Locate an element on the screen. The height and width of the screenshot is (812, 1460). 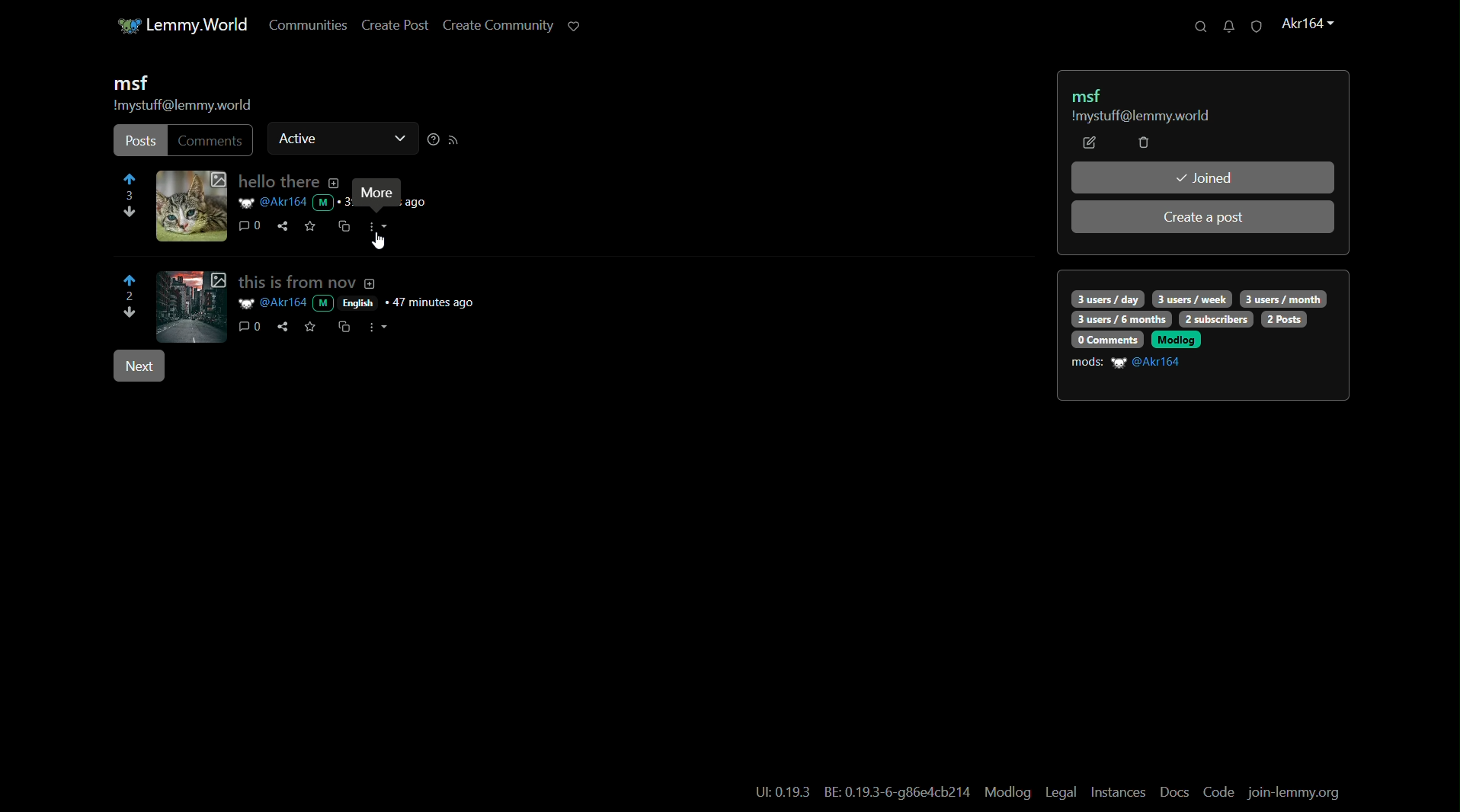
text is located at coordinates (898, 794).